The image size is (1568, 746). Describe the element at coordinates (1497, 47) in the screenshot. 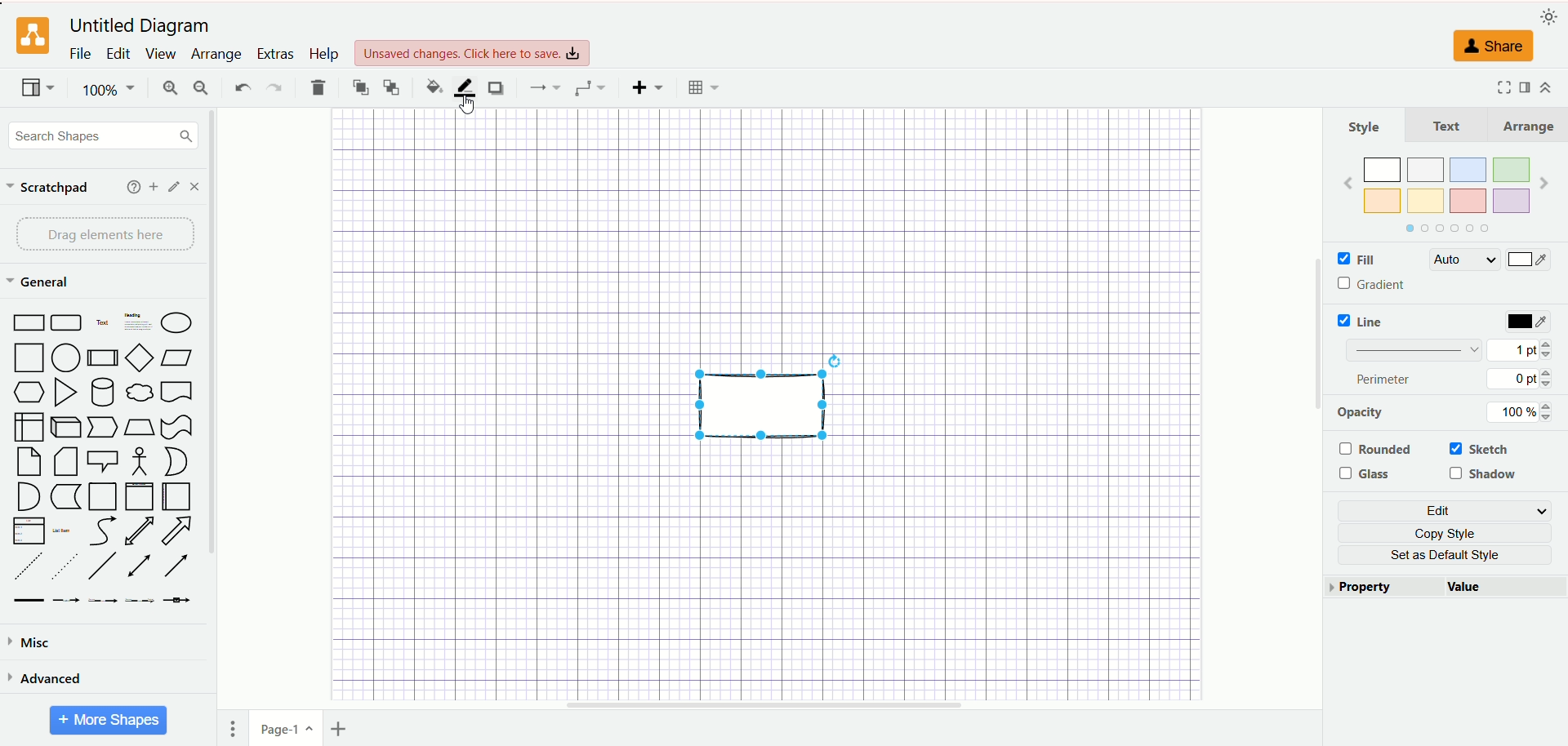

I see `share` at that location.